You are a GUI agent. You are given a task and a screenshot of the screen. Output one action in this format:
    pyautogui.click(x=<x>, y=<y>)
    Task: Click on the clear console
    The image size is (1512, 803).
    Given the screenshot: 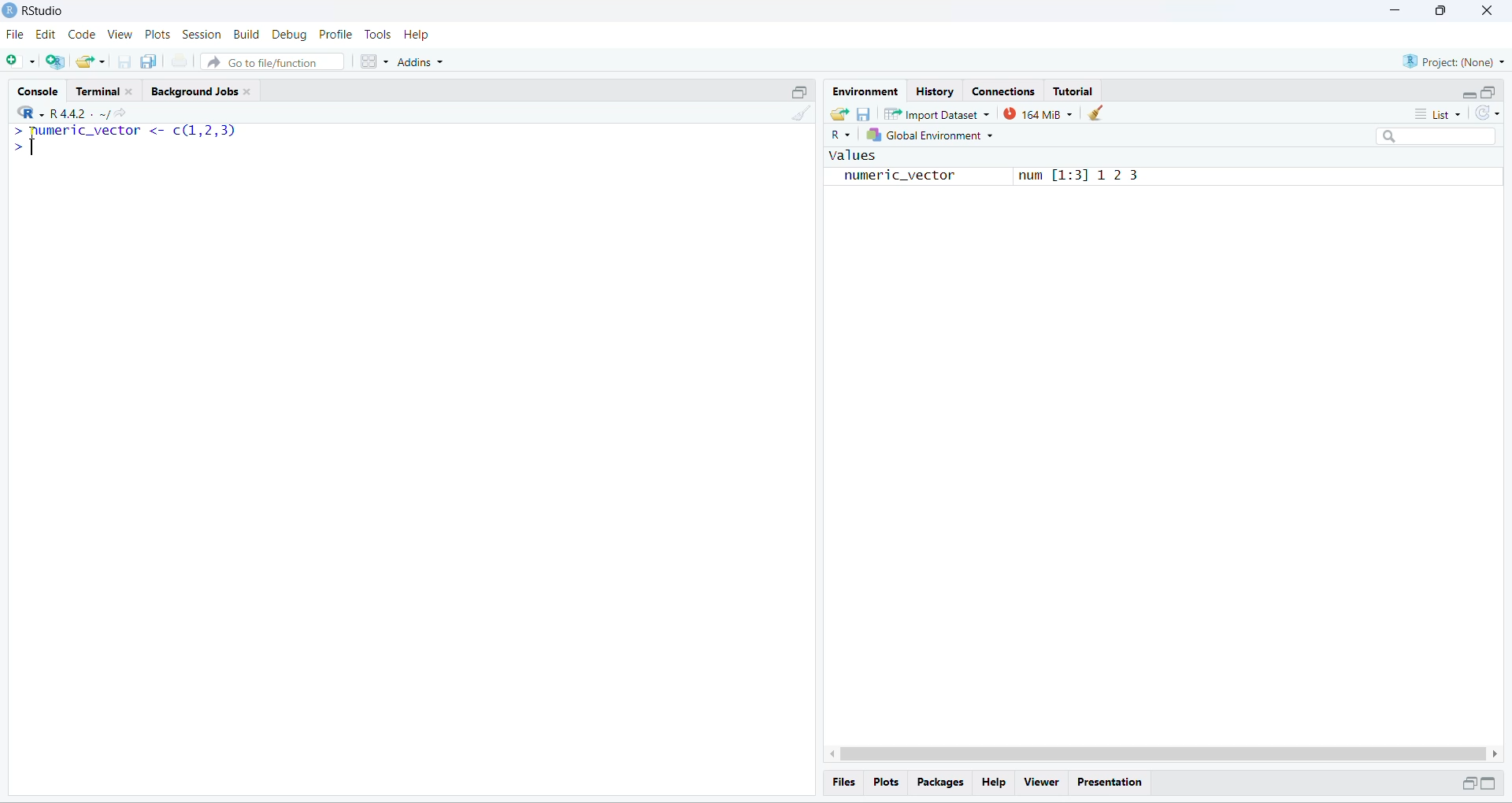 What is the action you would take?
    pyautogui.click(x=804, y=114)
    